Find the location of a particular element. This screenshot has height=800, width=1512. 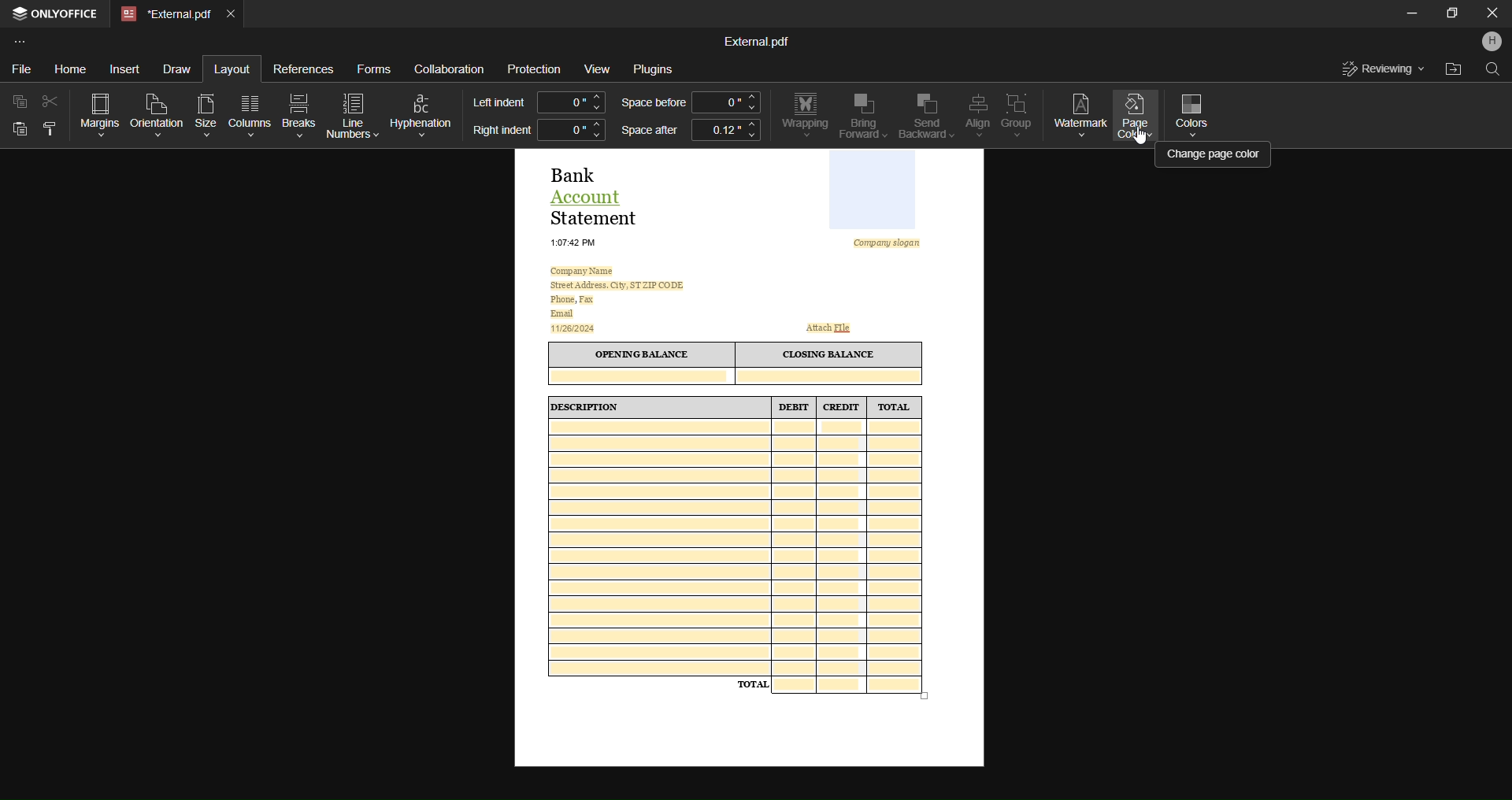

Close tab is located at coordinates (233, 16).